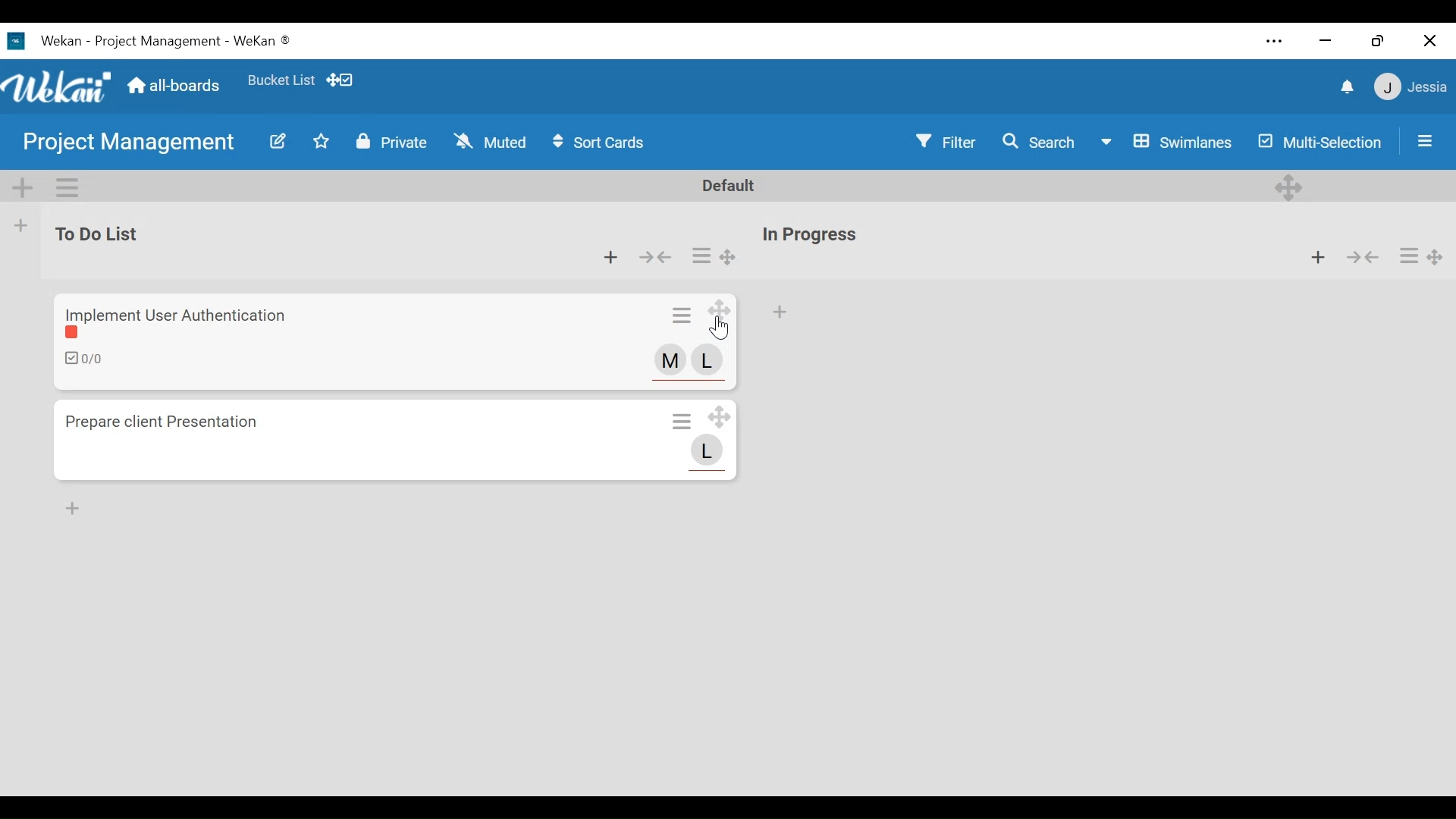 This screenshot has width=1456, height=819. Describe the element at coordinates (730, 185) in the screenshot. I see `Default` at that location.